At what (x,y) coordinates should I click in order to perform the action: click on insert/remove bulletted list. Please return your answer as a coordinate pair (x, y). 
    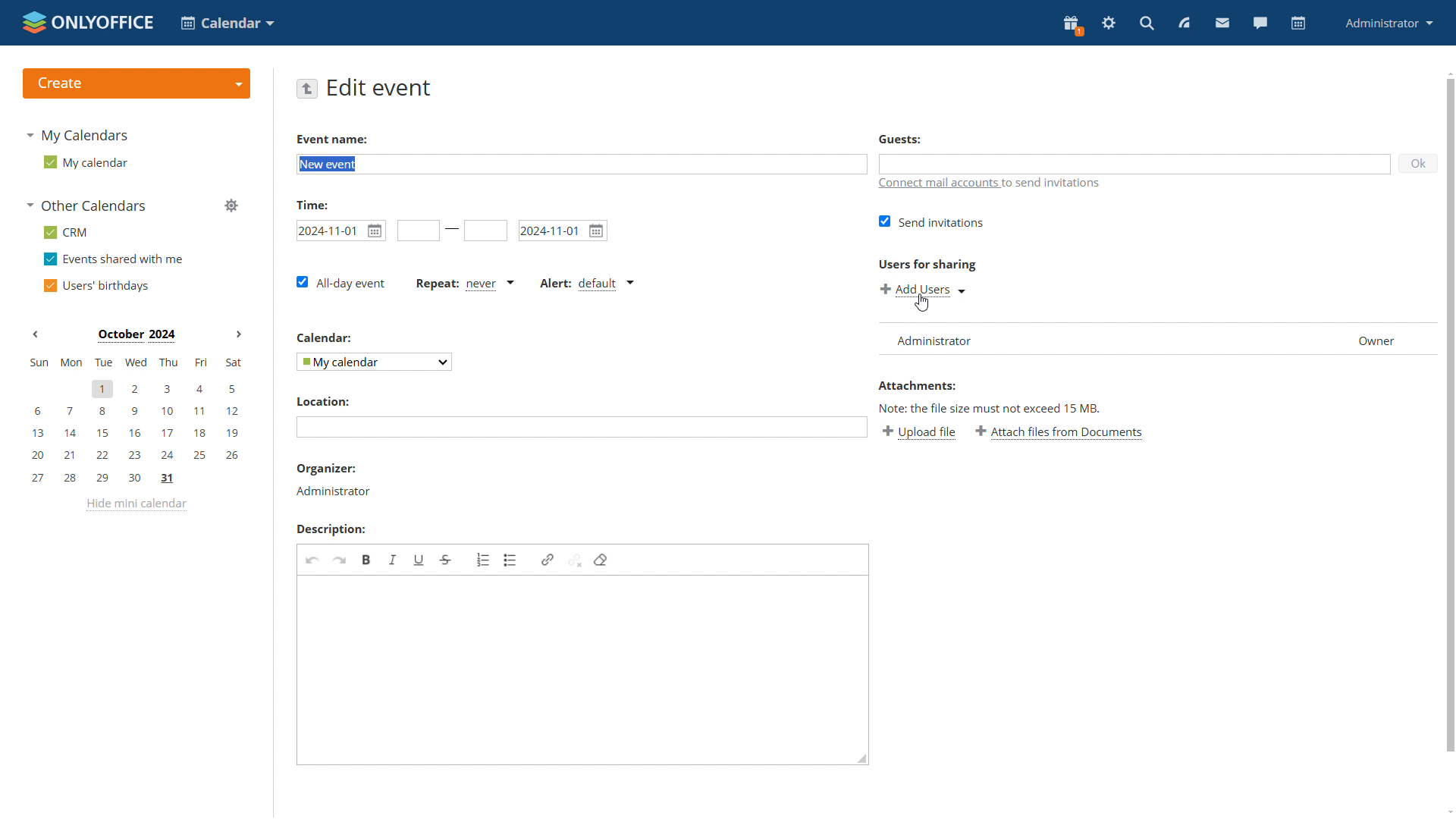
    Looking at the image, I should click on (511, 560).